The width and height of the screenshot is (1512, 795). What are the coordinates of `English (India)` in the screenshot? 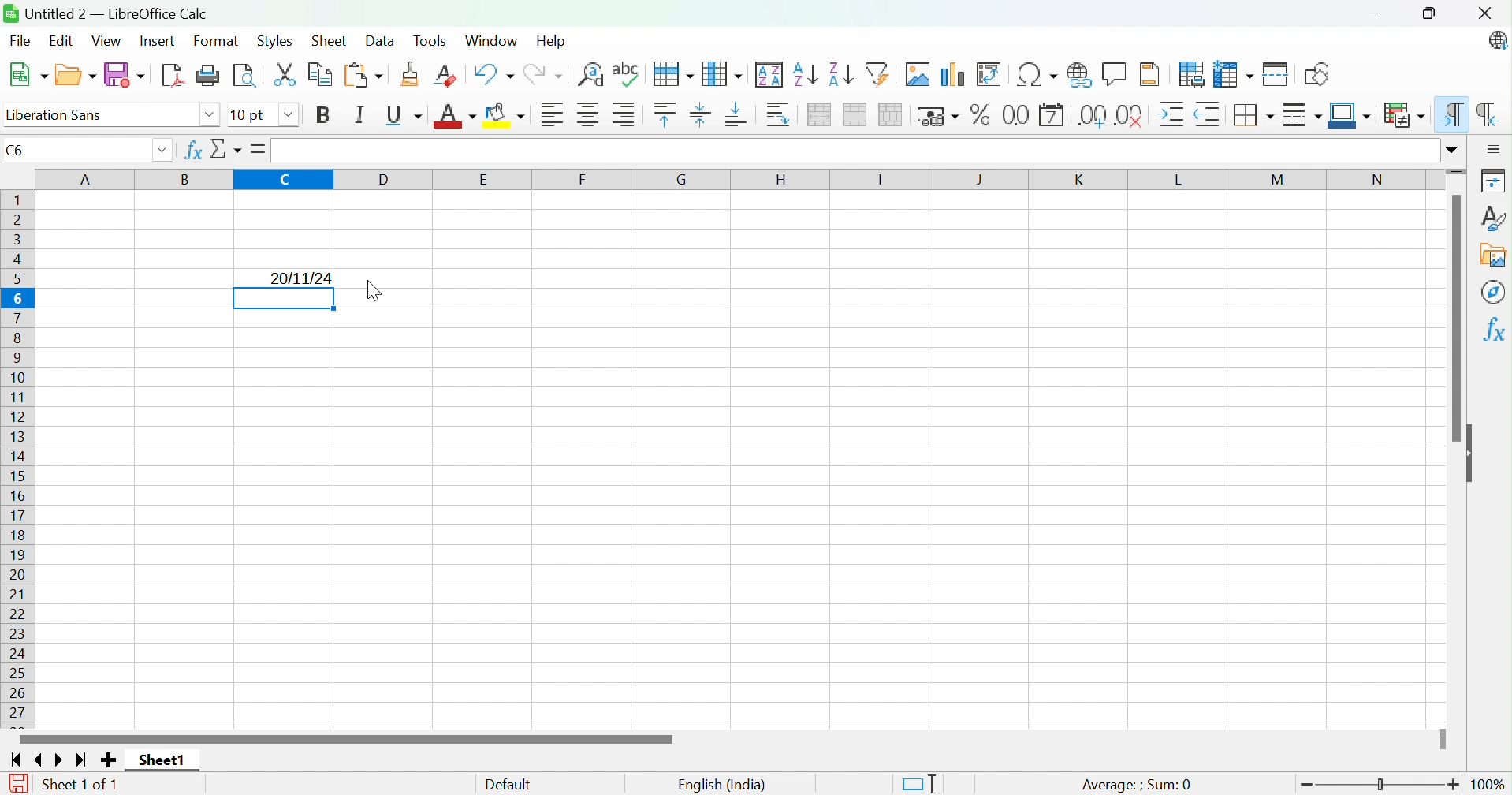 It's located at (722, 786).